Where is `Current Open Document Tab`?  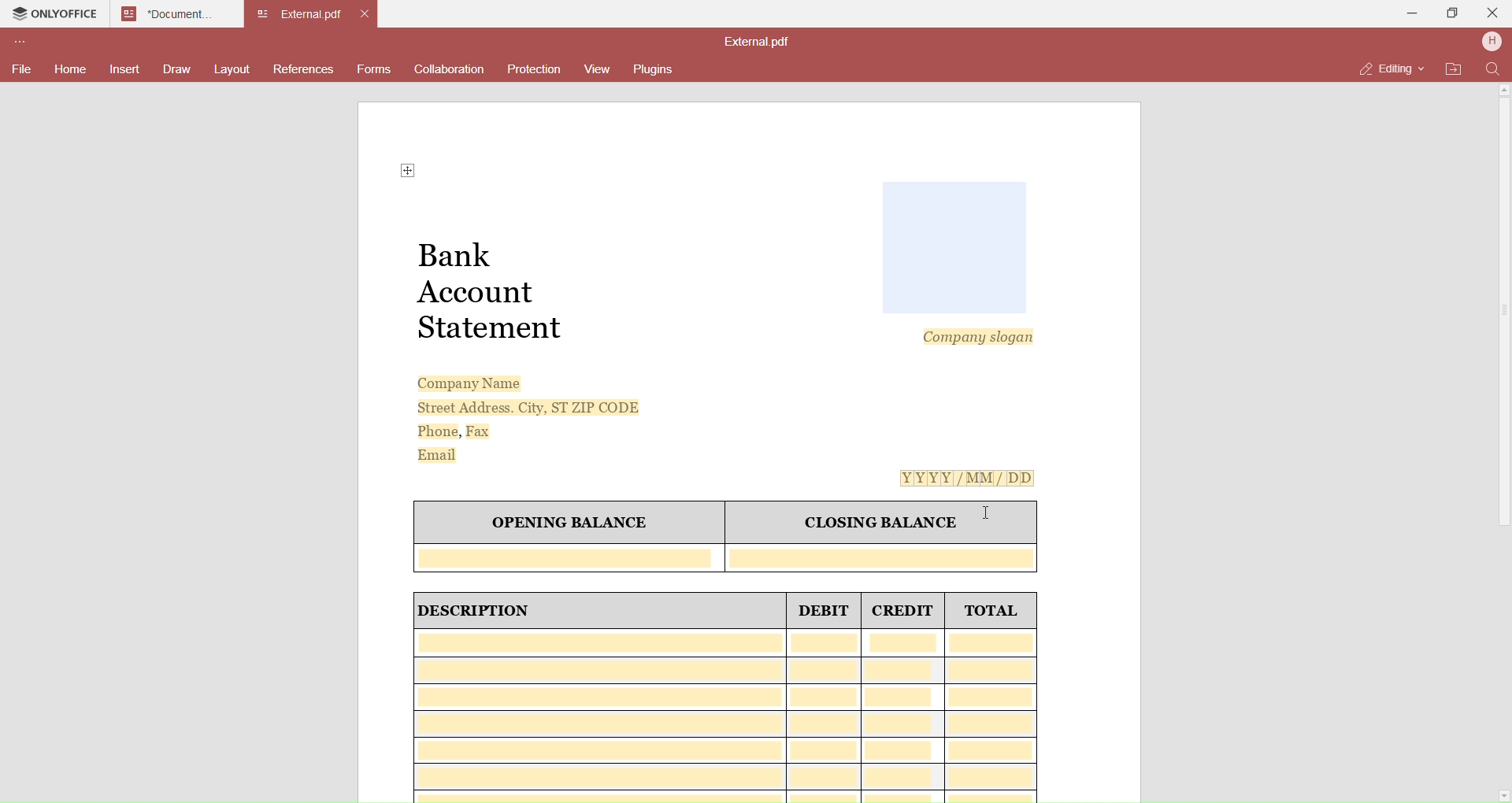
Current Open Document Tab is located at coordinates (167, 13).